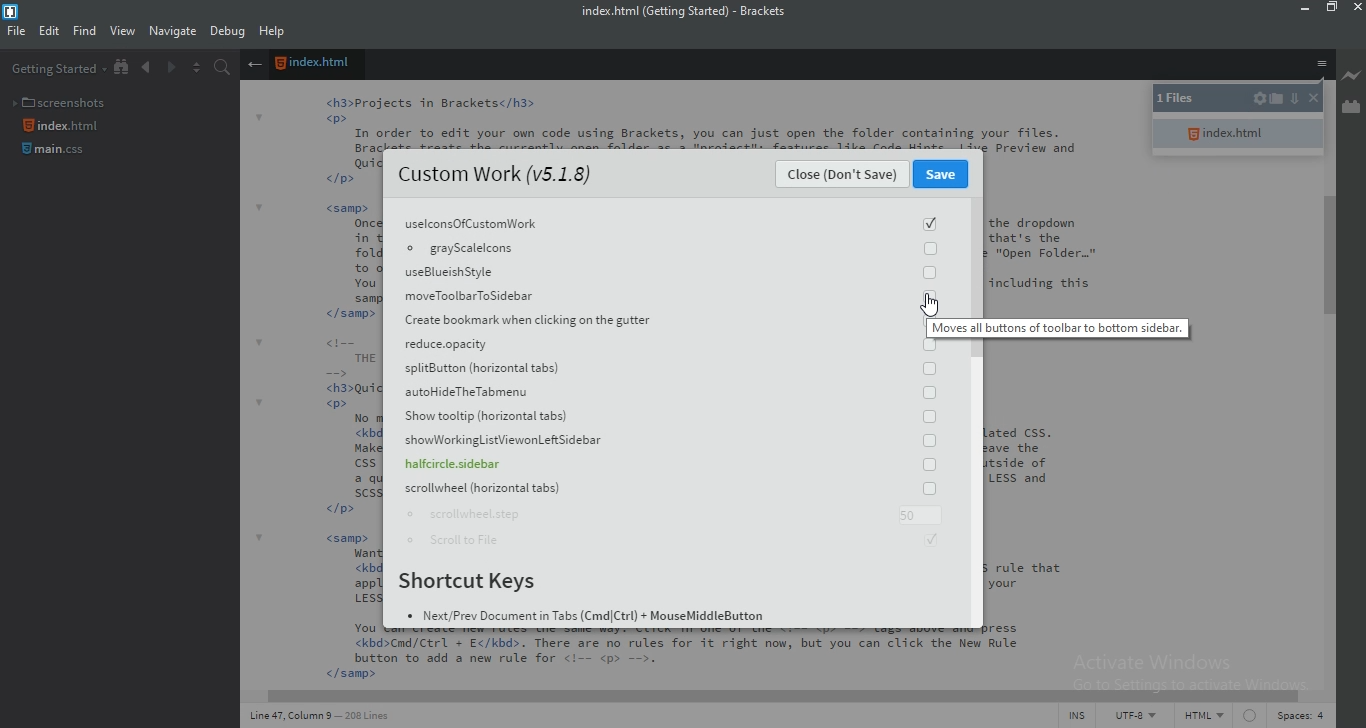 The width and height of the screenshot is (1366, 728). I want to click on Index.html, so click(316, 65).